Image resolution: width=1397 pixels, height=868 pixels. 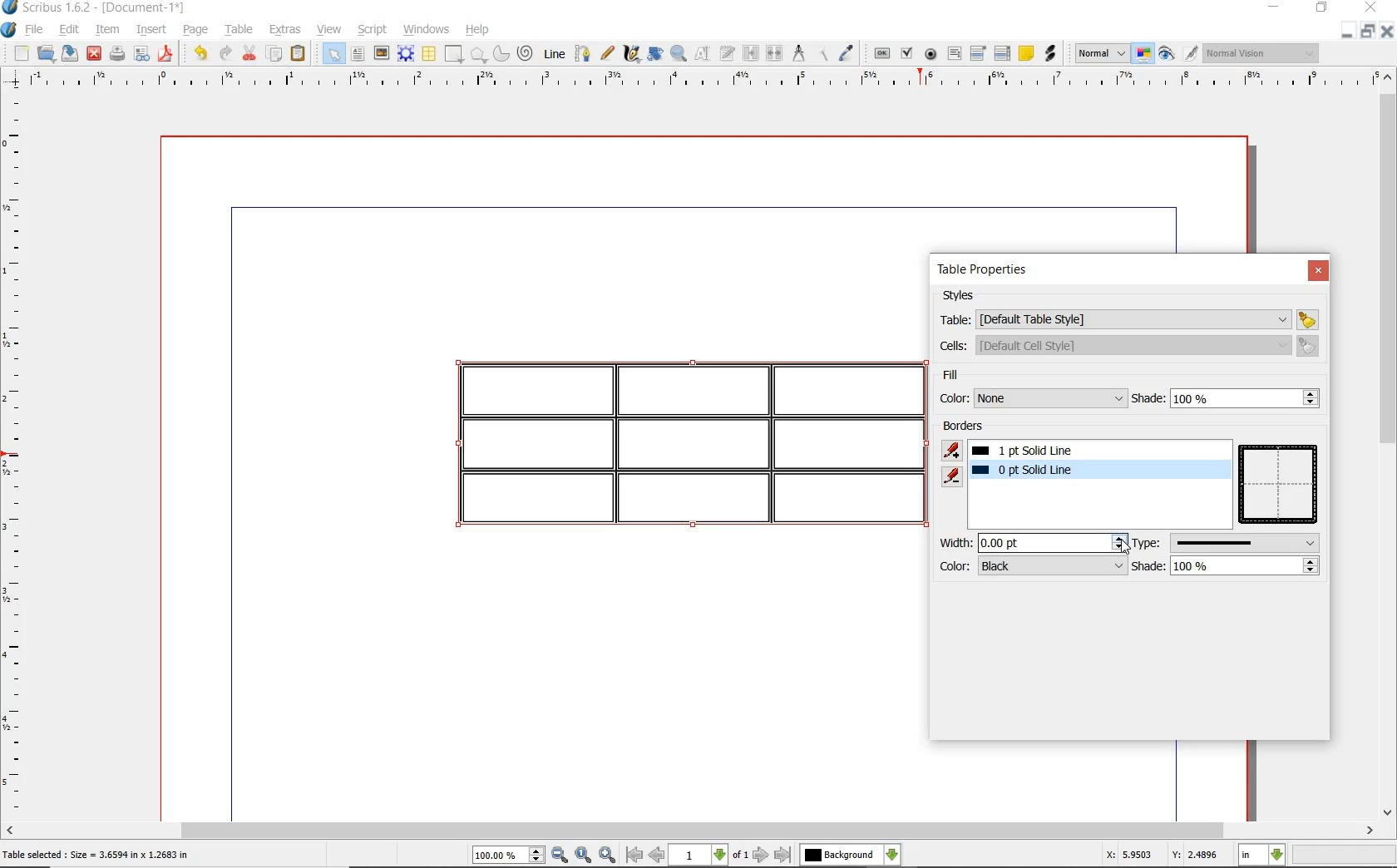 What do you see at coordinates (329, 29) in the screenshot?
I see `view` at bounding box center [329, 29].